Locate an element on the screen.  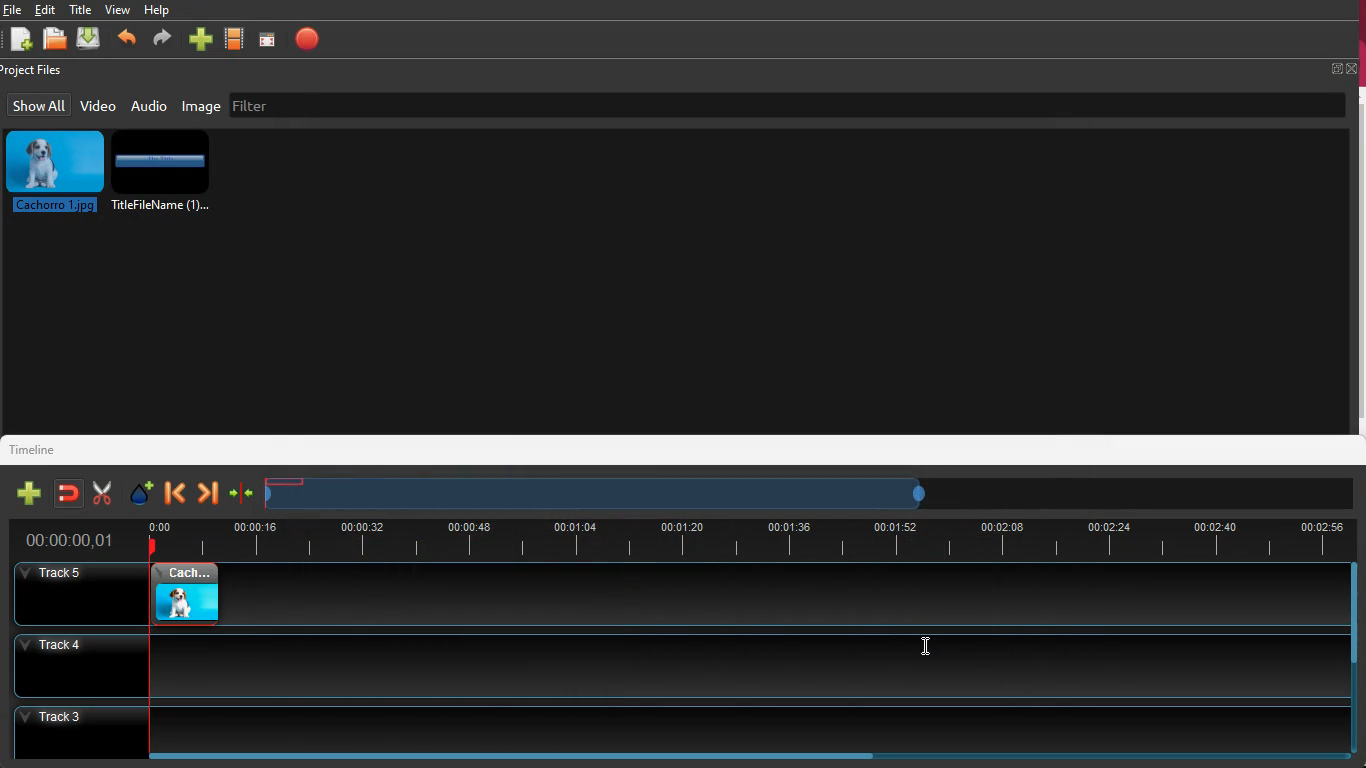
horizontal scroll  is located at coordinates (517, 760).